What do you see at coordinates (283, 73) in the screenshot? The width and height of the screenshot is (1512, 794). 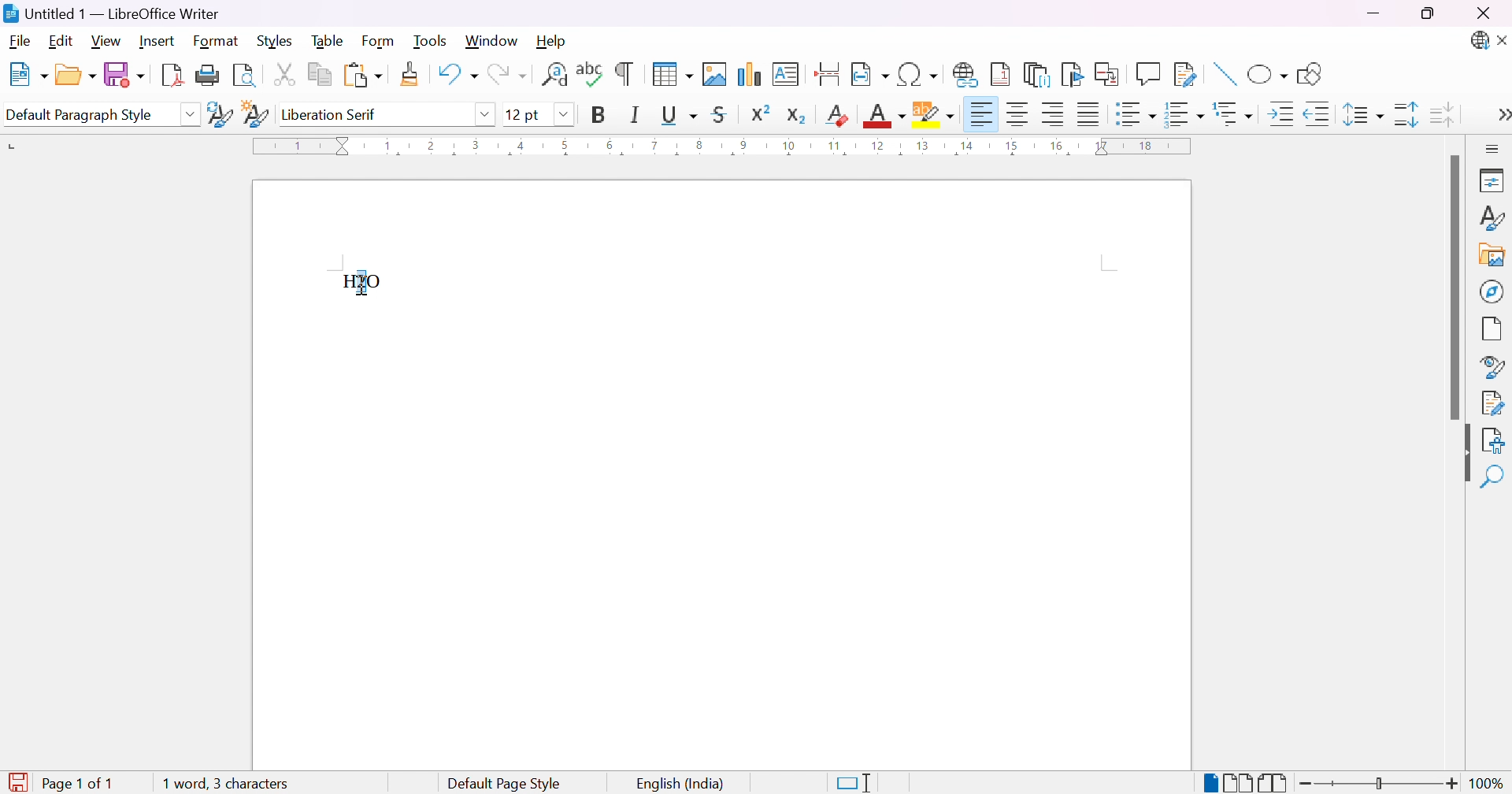 I see `Cut` at bounding box center [283, 73].